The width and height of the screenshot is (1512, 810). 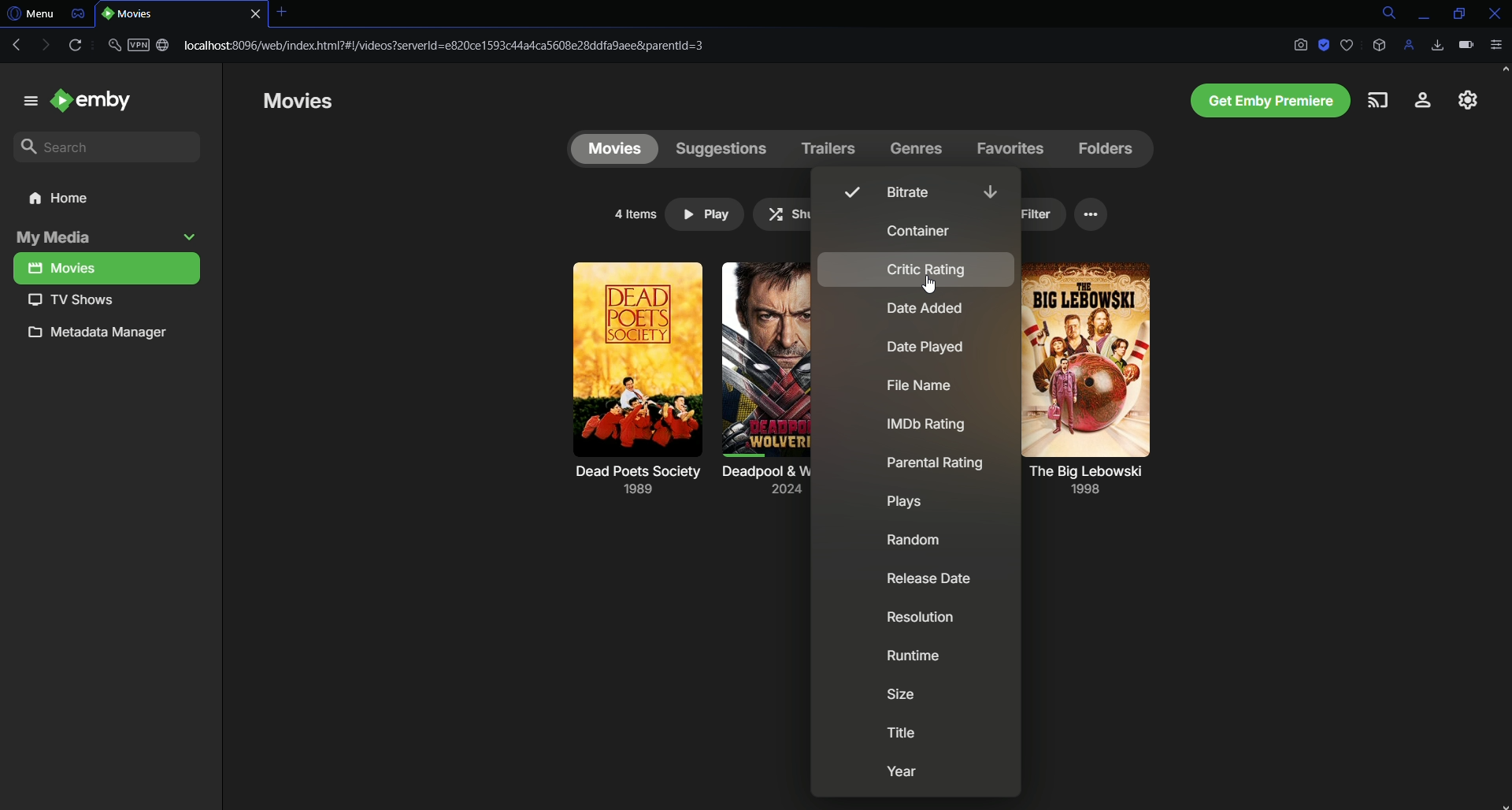 What do you see at coordinates (1090, 481) in the screenshot?
I see `The Big Lebowski` at bounding box center [1090, 481].